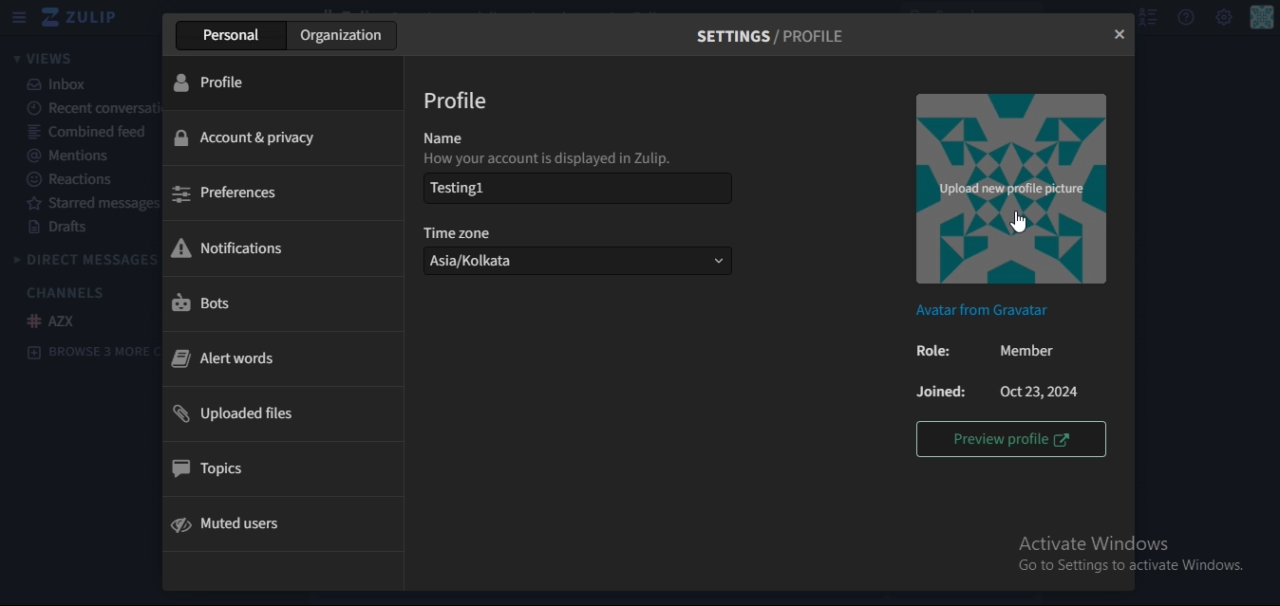 This screenshot has width=1280, height=606. I want to click on profile, so click(209, 83).